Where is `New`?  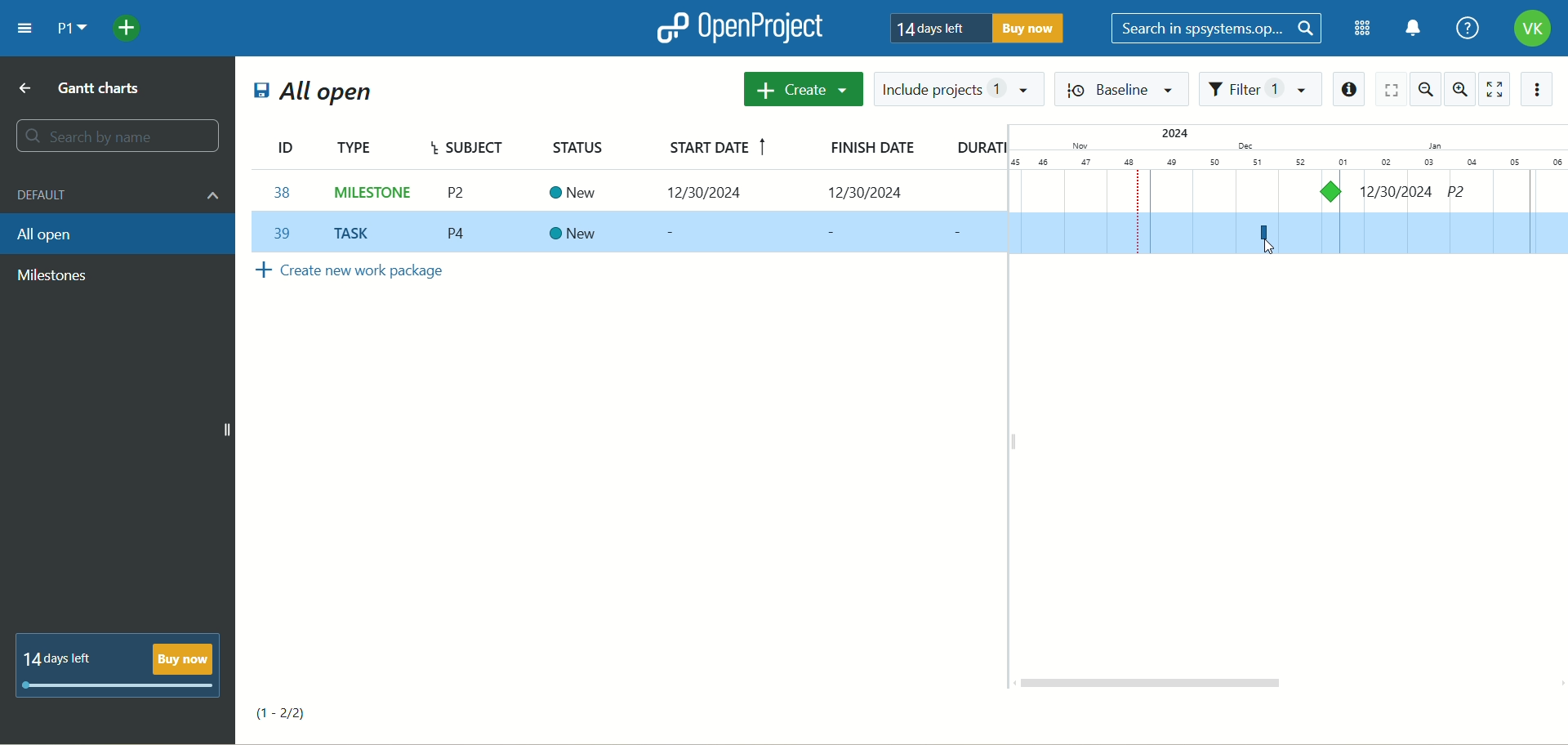
New is located at coordinates (574, 231).